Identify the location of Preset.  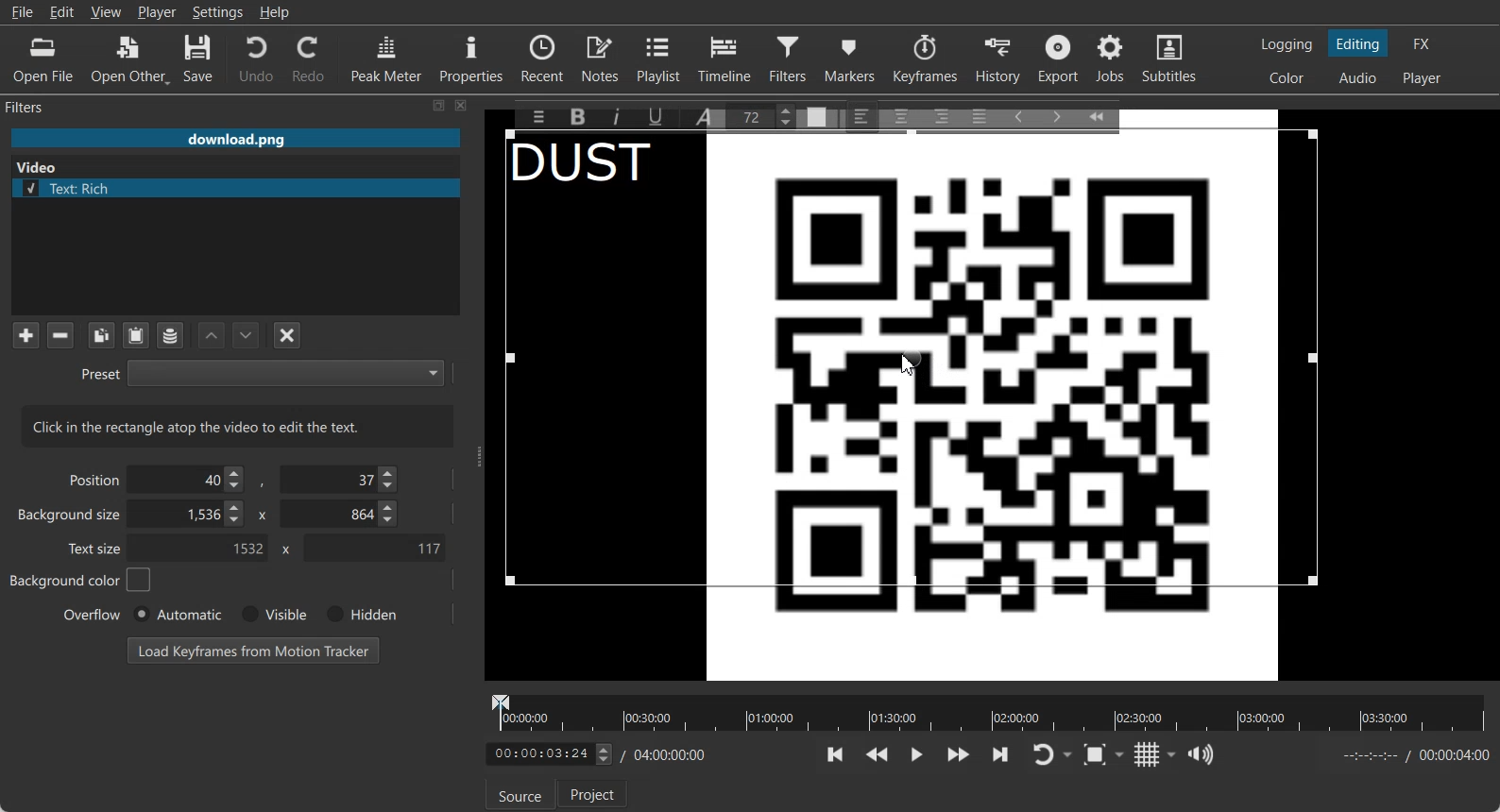
(262, 372).